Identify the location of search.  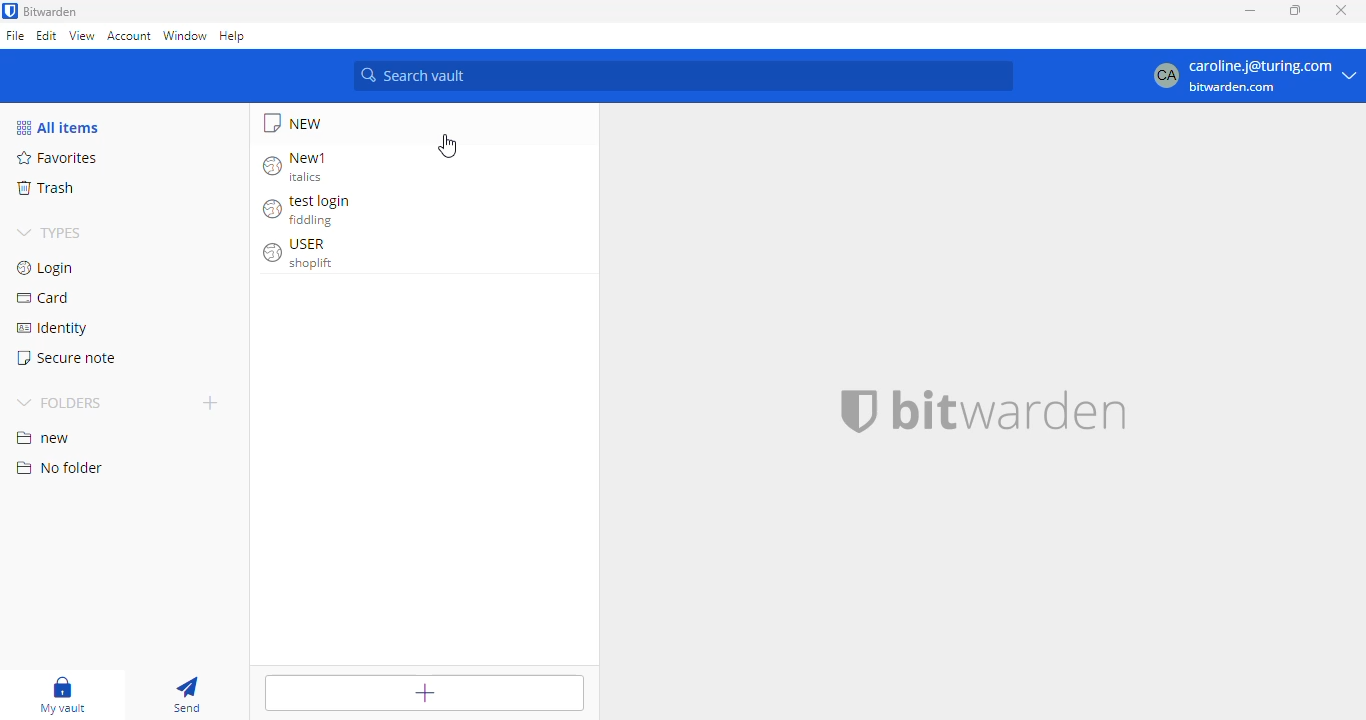
(682, 76).